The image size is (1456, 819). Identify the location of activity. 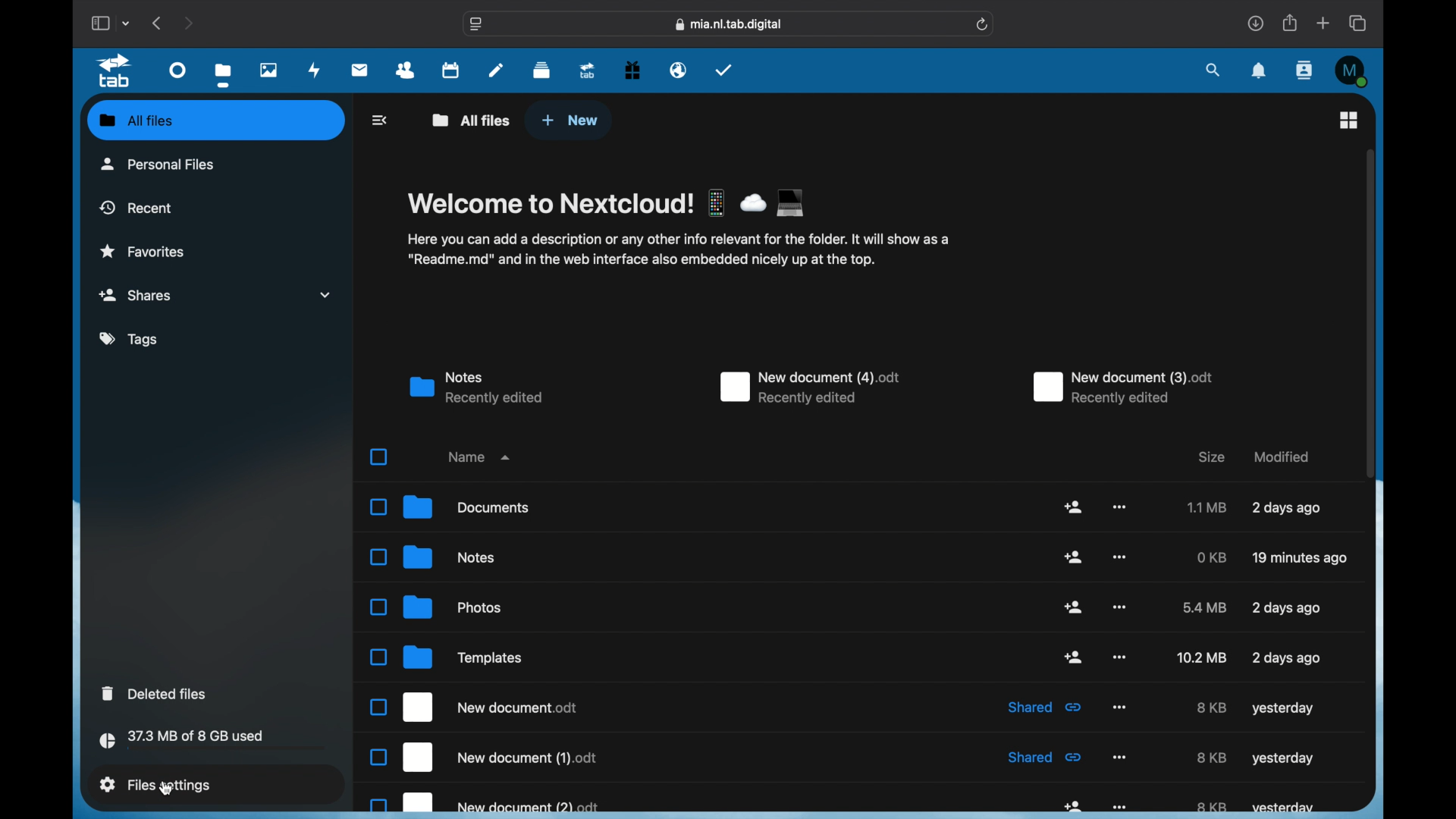
(314, 70).